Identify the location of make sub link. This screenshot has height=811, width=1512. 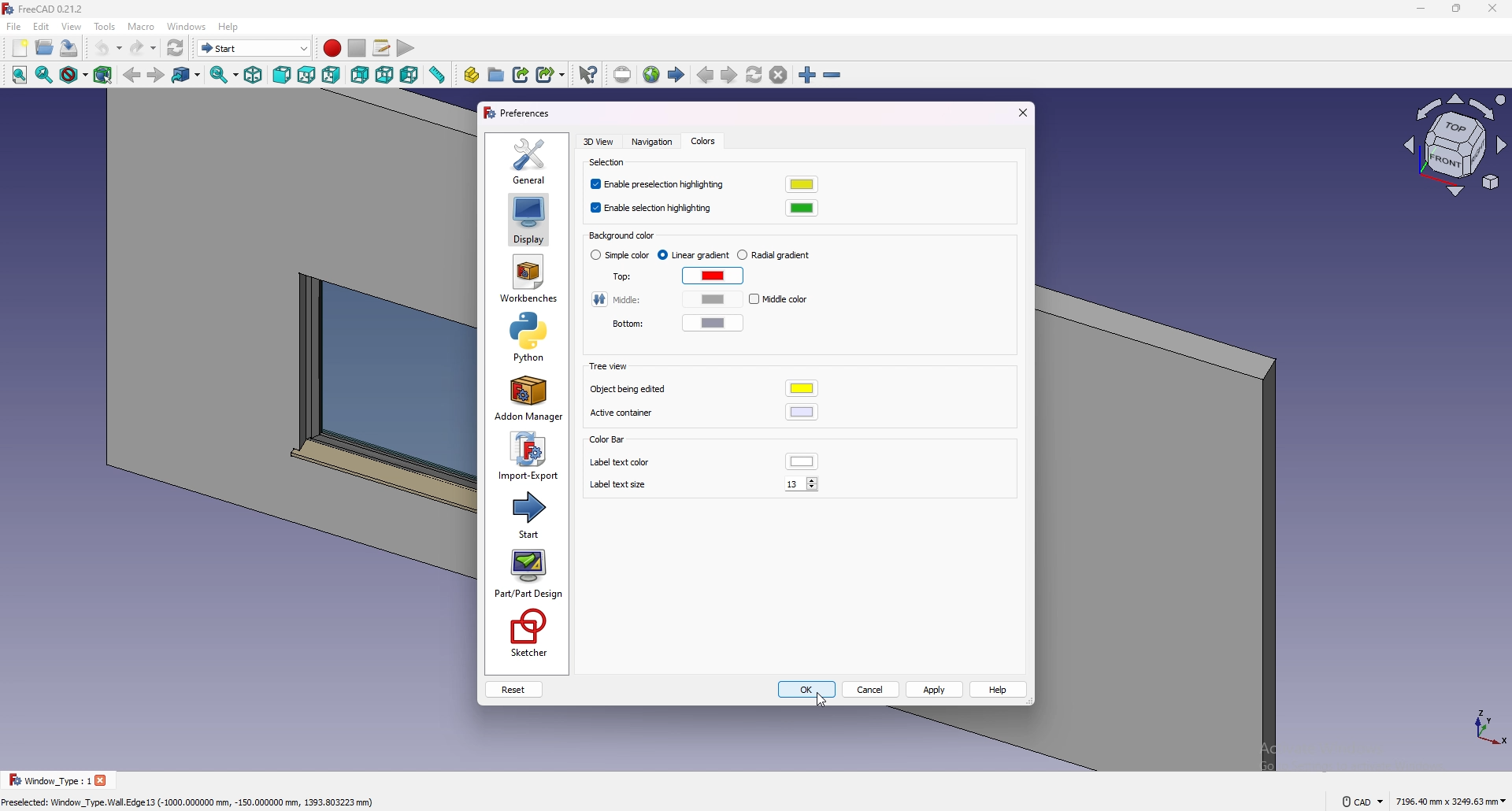
(551, 73).